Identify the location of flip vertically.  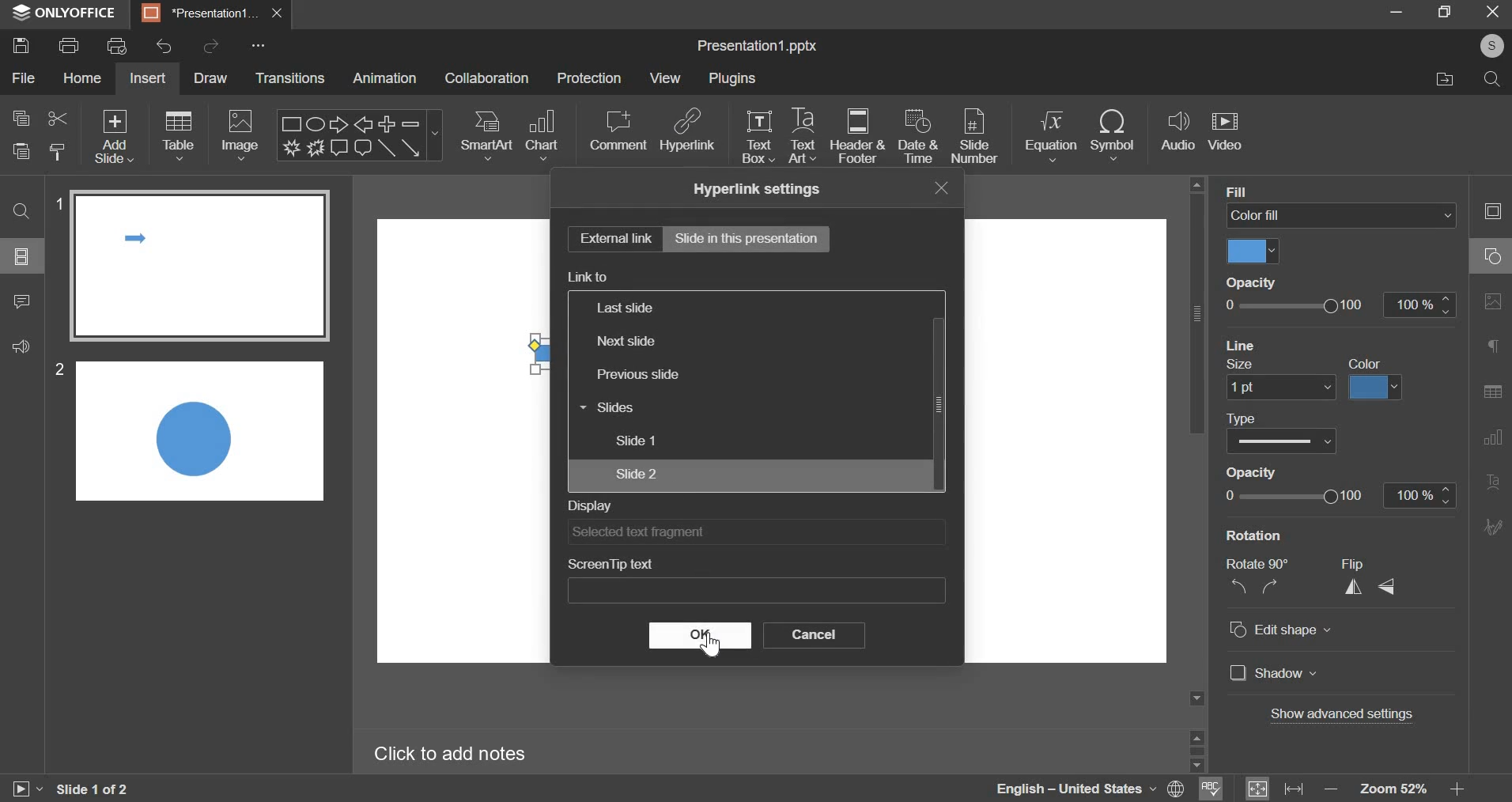
(1387, 588).